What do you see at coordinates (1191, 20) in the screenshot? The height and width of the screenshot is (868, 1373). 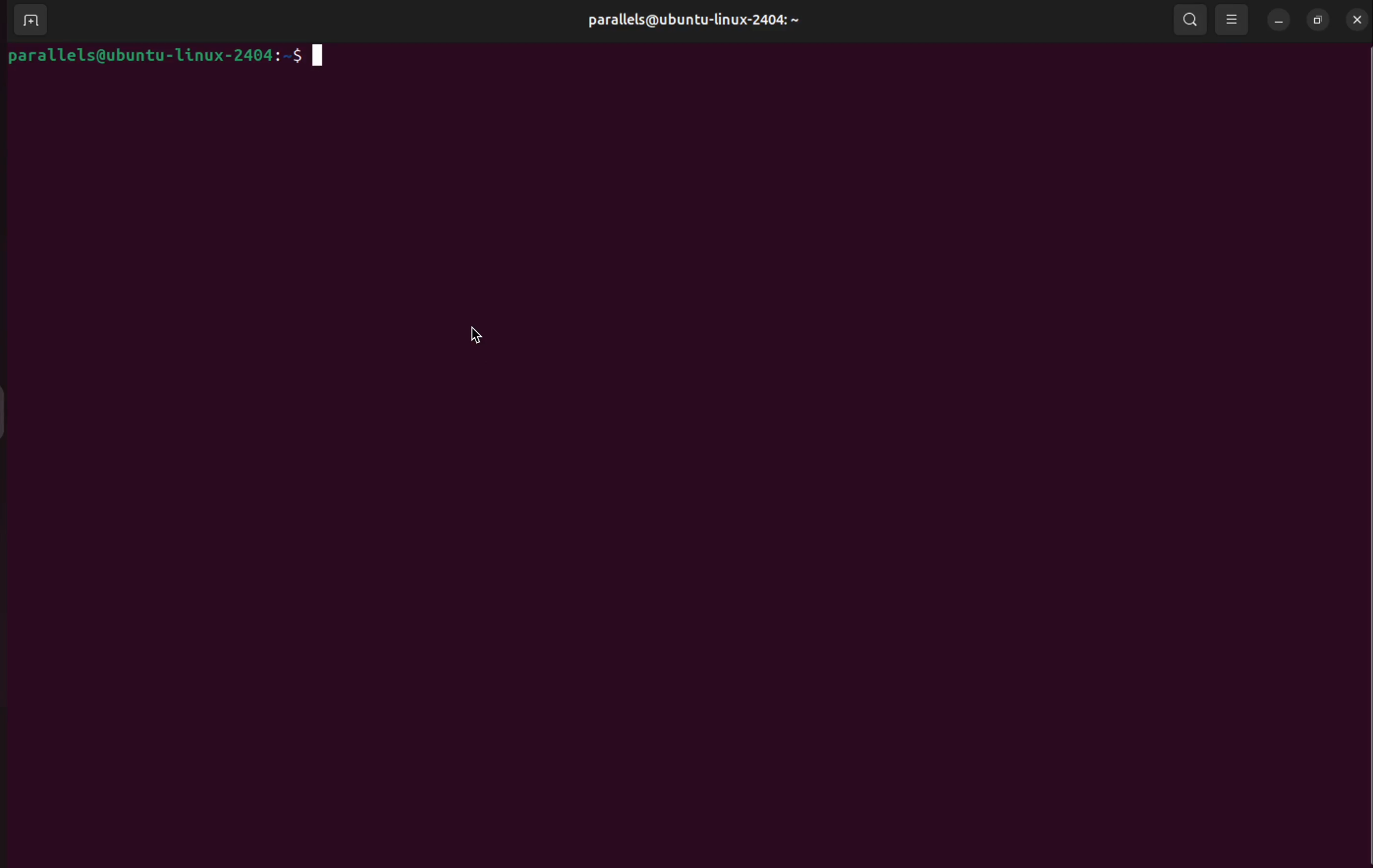 I see `search` at bounding box center [1191, 20].